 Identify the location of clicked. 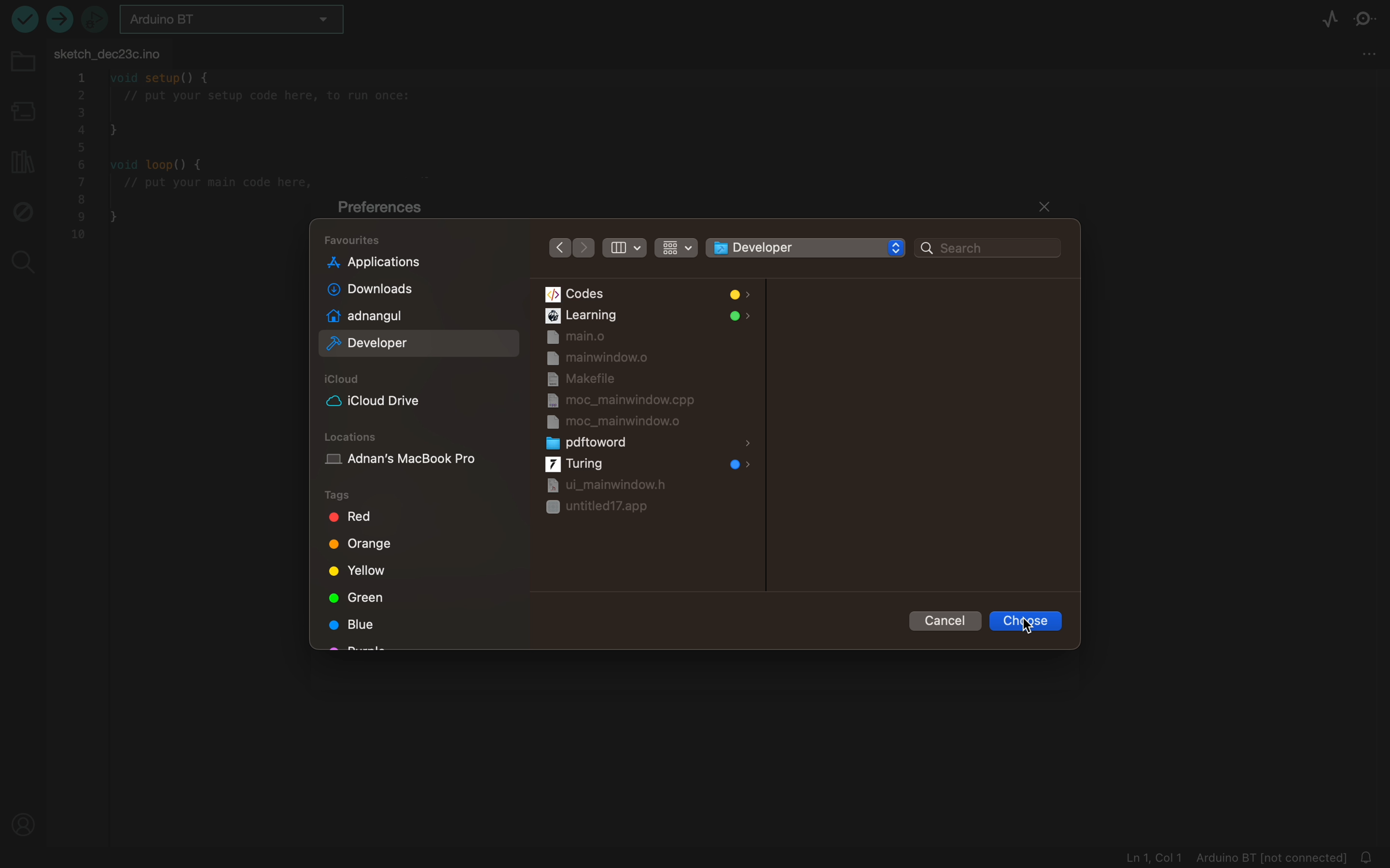
(1030, 622).